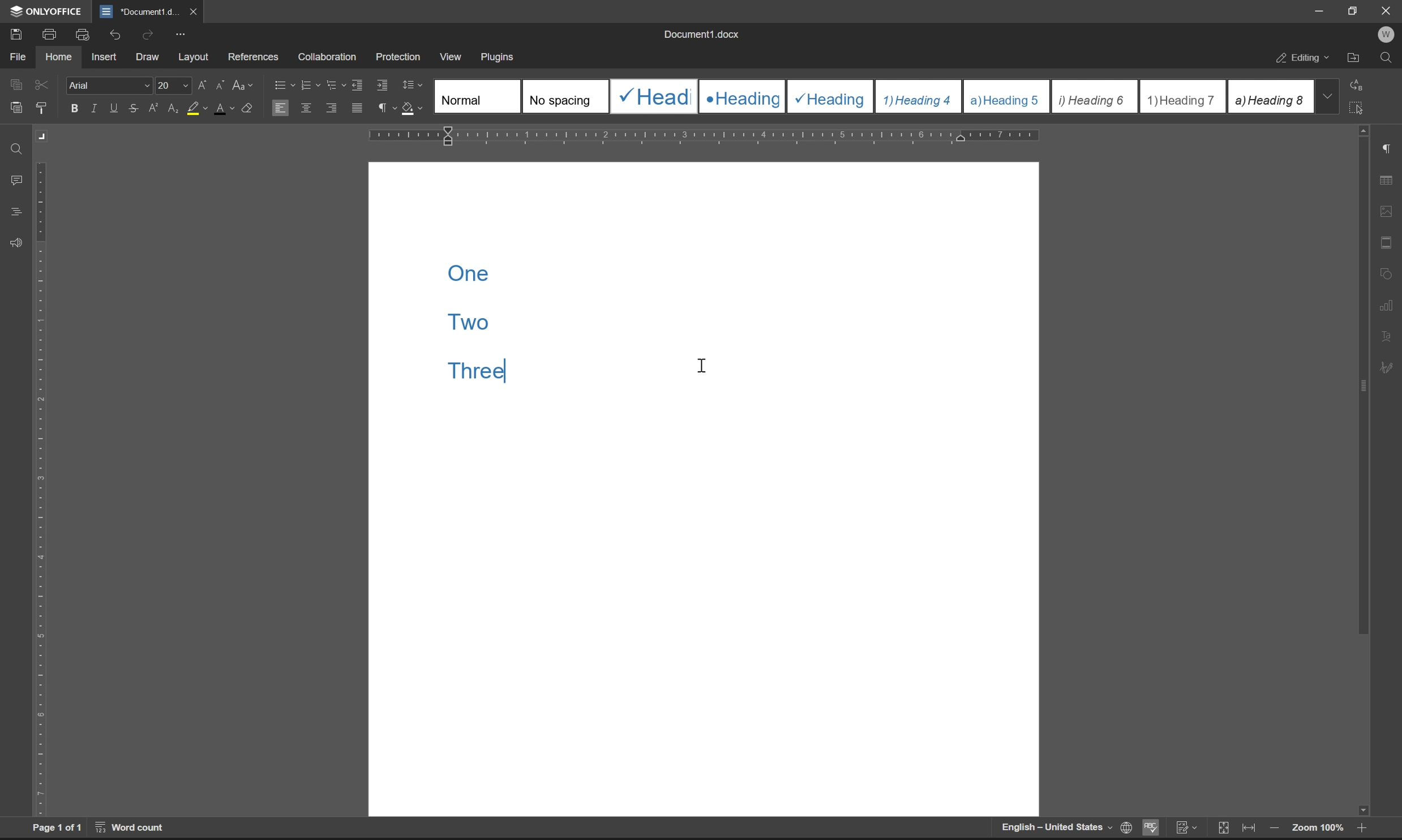 The width and height of the screenshot is (1402, 840). Describe the element at coordinates (244, 84) in the screenshot. I see `change case` at that location.